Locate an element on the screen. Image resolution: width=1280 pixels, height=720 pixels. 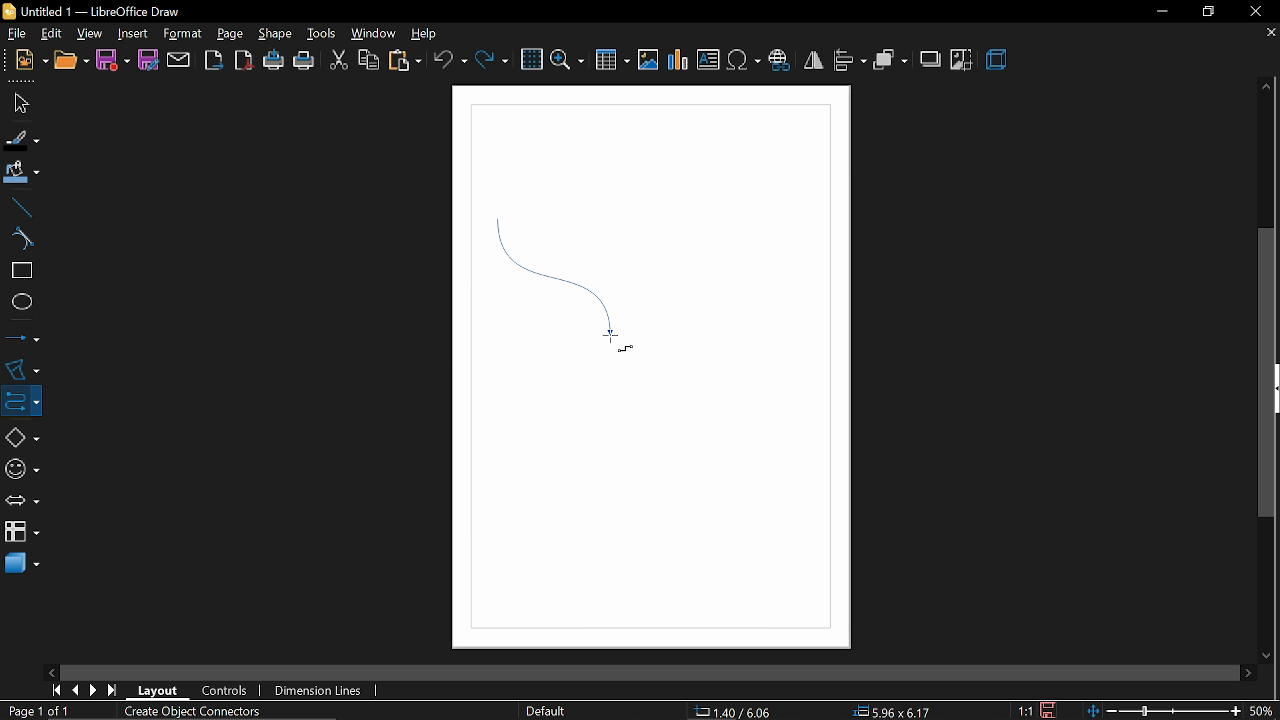
crop is located at coordinates (962, 60).